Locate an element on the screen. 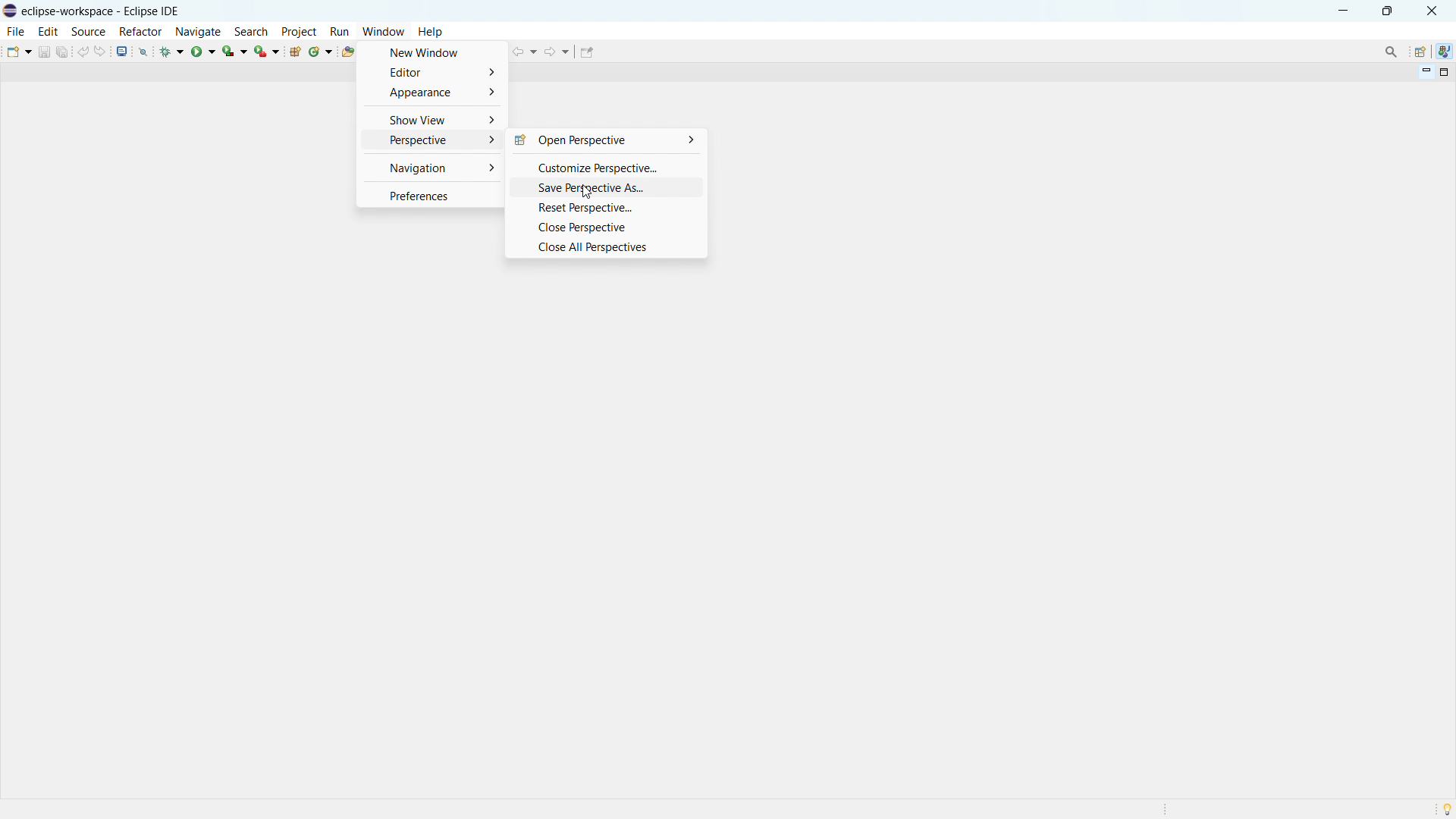  forward is located at coordinates (557, 51).